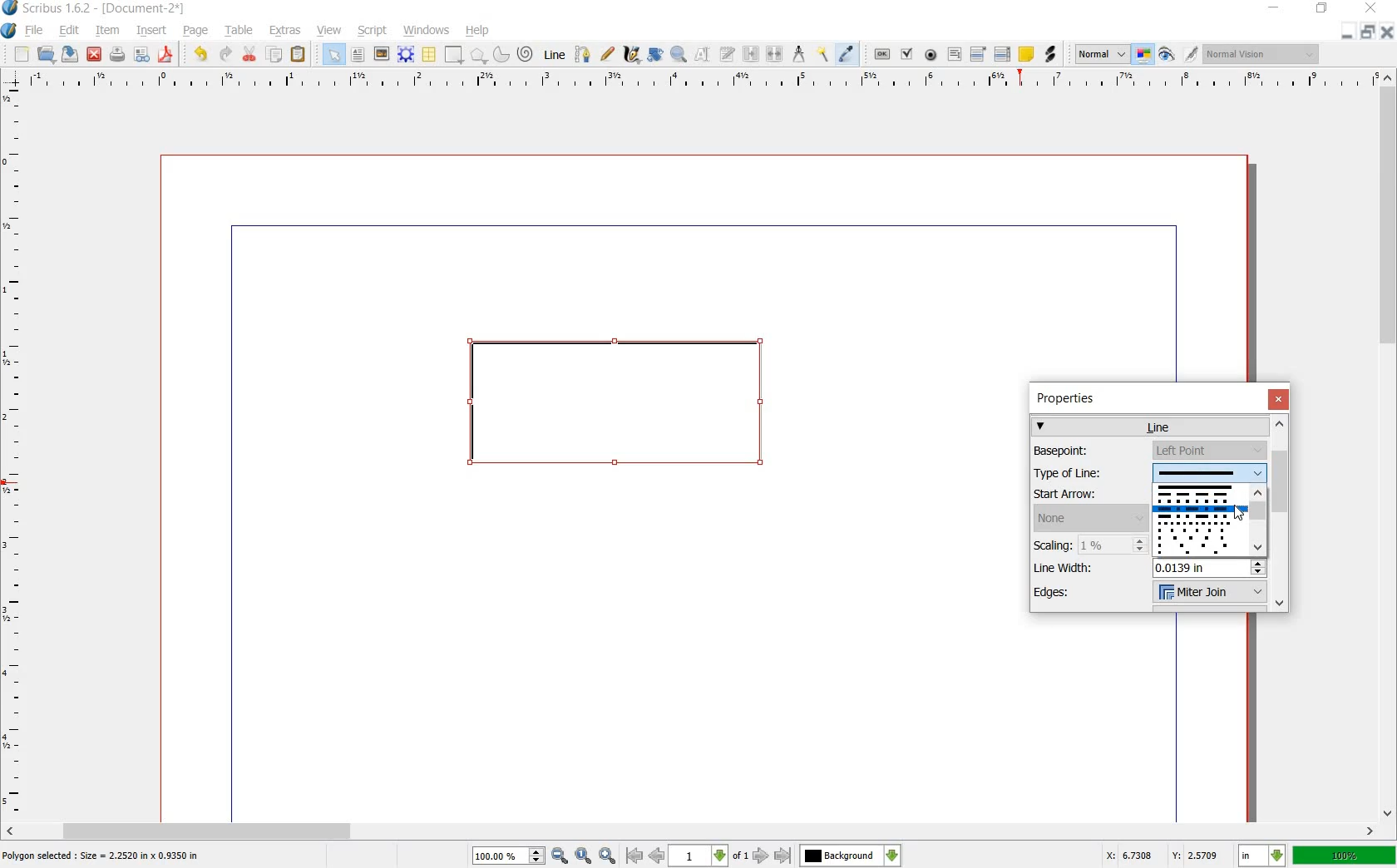 Image resolution: width=1397 pixels, height=868 pixels. Describe the element at coordinates (453, 54) in the screenshot. I see `SHAPE` at that location.